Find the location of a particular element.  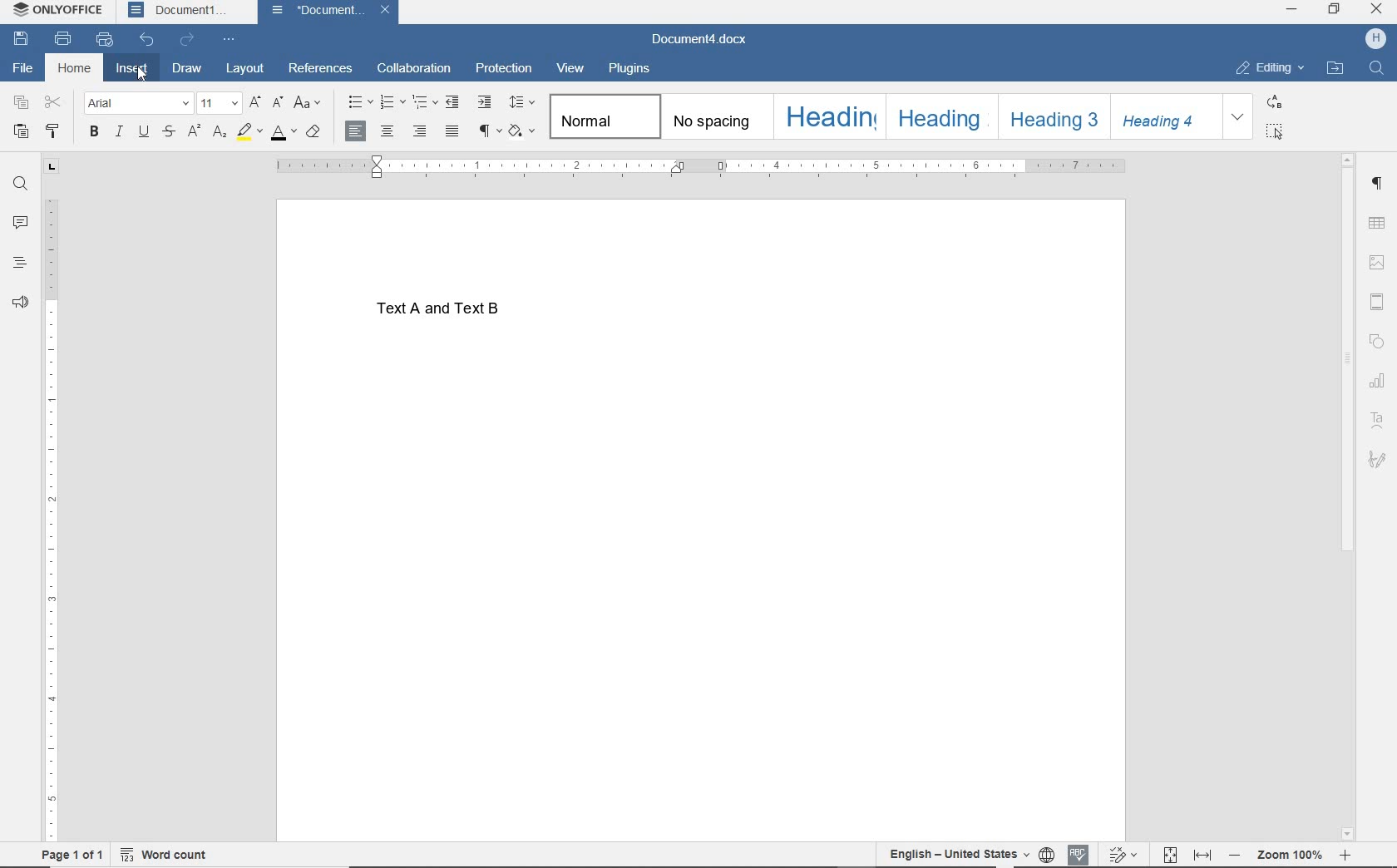

minimize is located at coordinates (1291, 11).